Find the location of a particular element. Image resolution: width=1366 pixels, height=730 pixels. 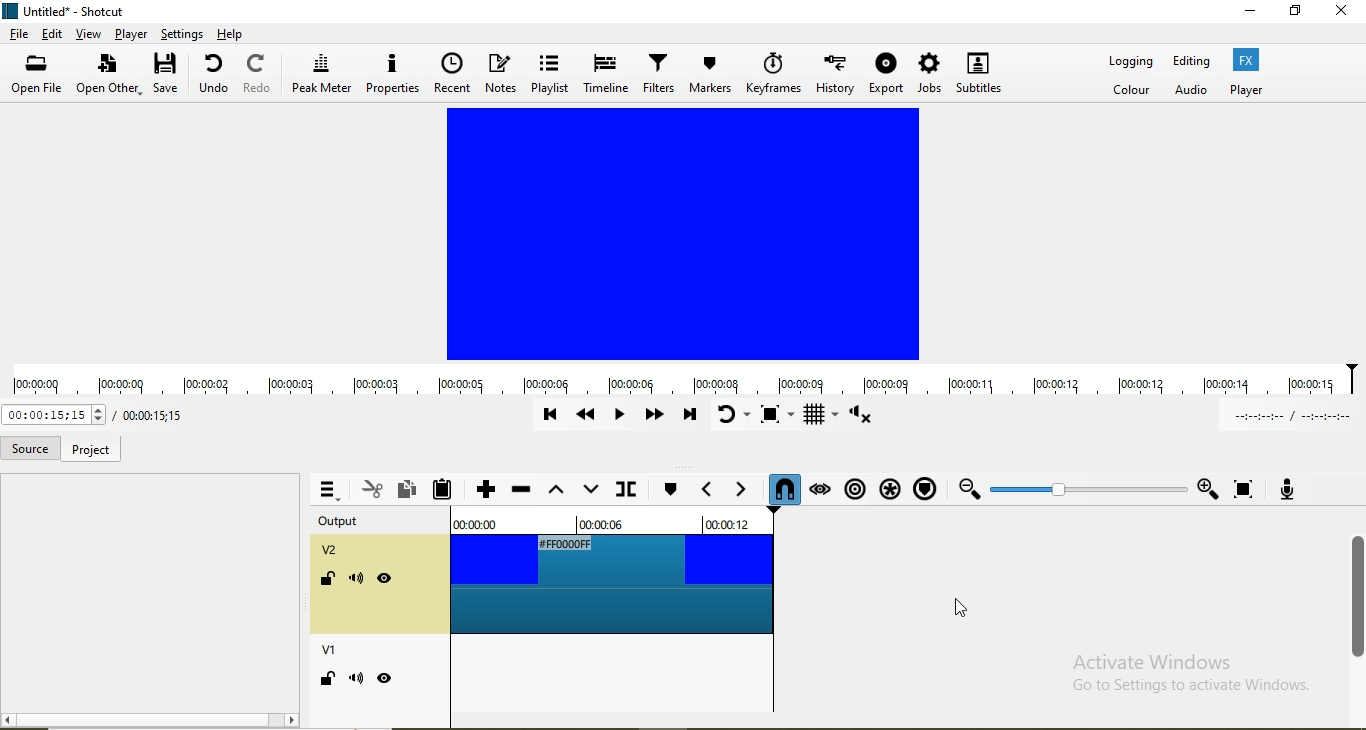

minimse is located at coordinates (1250, 14).